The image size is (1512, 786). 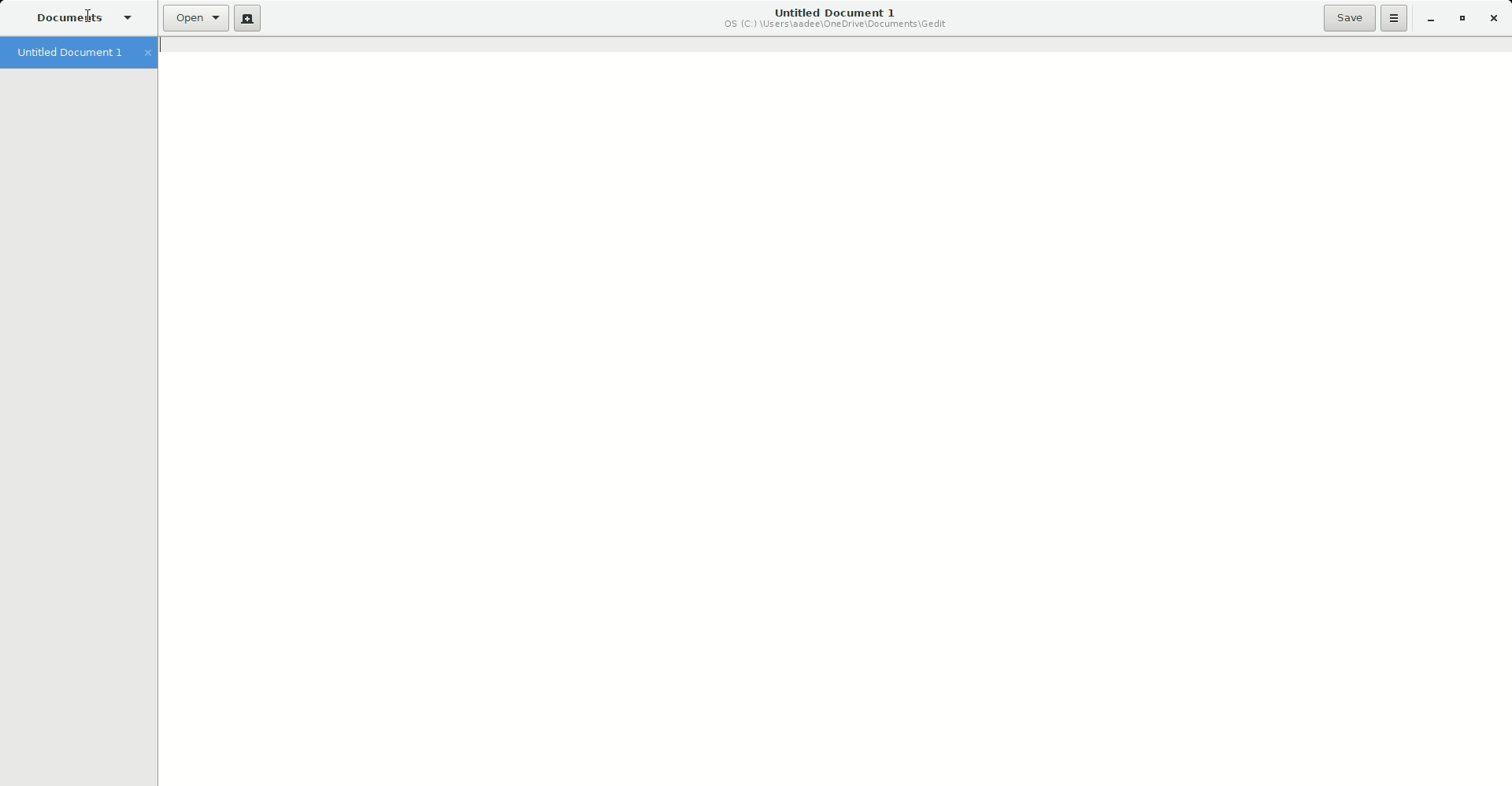 What do you see at coordinates (1427, 20) in the screenshot?
I see `Minimize` at bounding box center [1427, 20].